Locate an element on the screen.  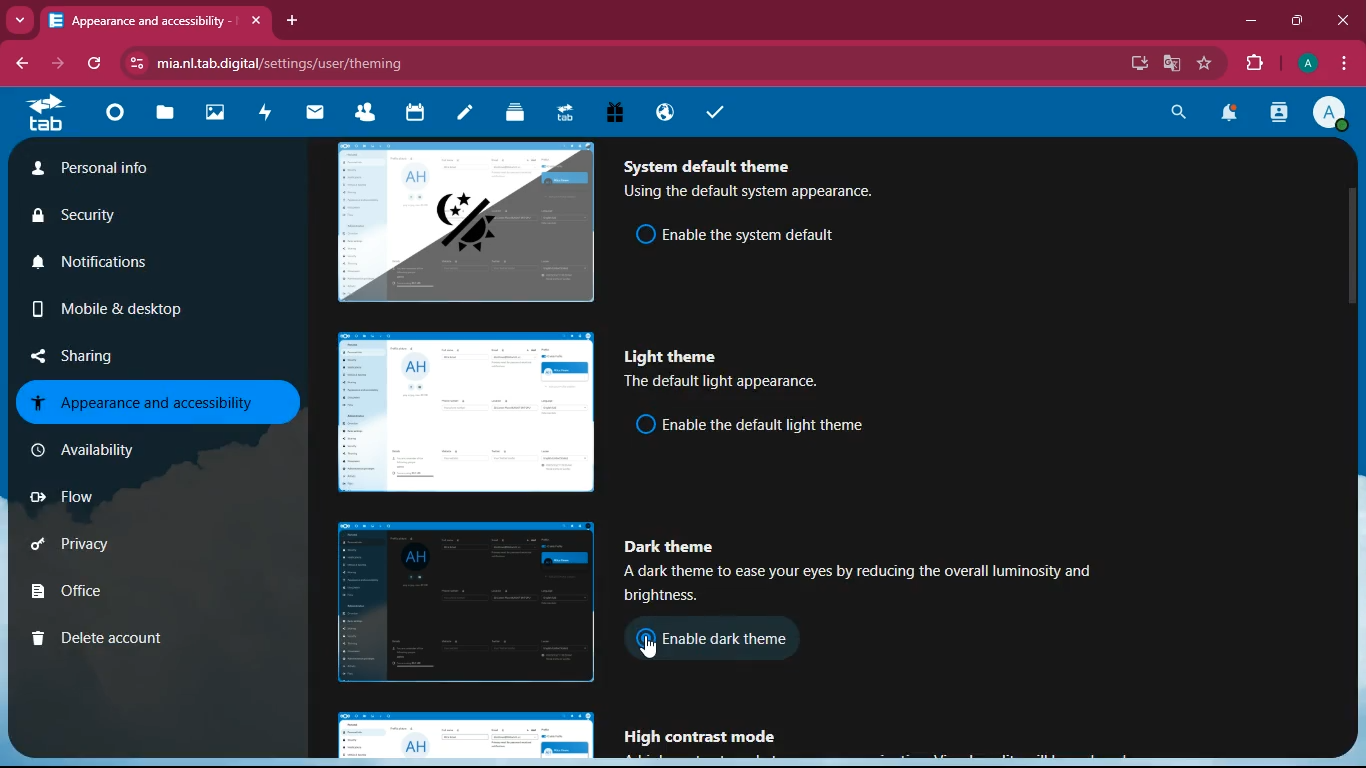
enable is located at coordinates (747, 640).